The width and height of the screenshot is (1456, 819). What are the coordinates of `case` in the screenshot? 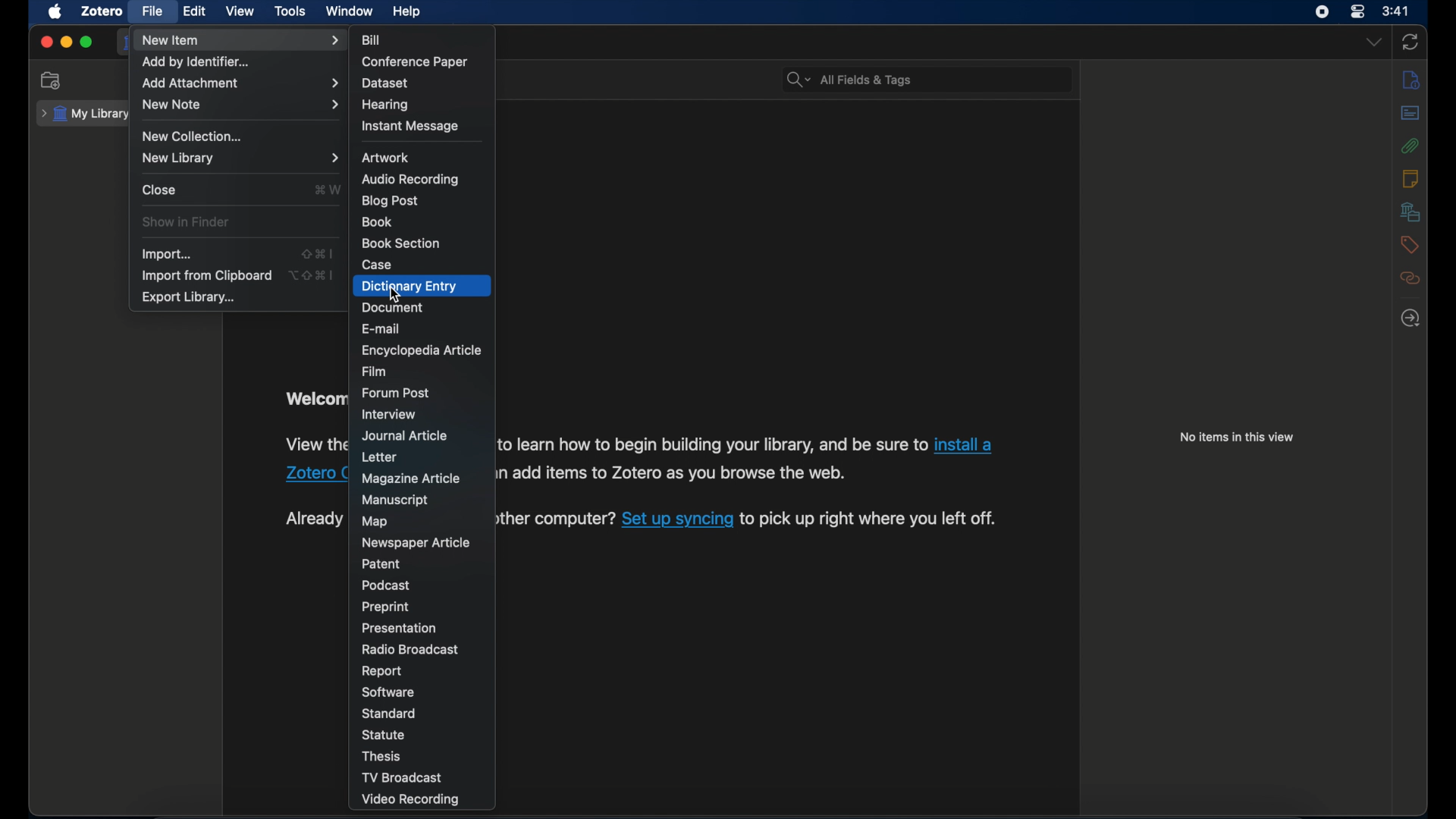 It's located at (377, 265).